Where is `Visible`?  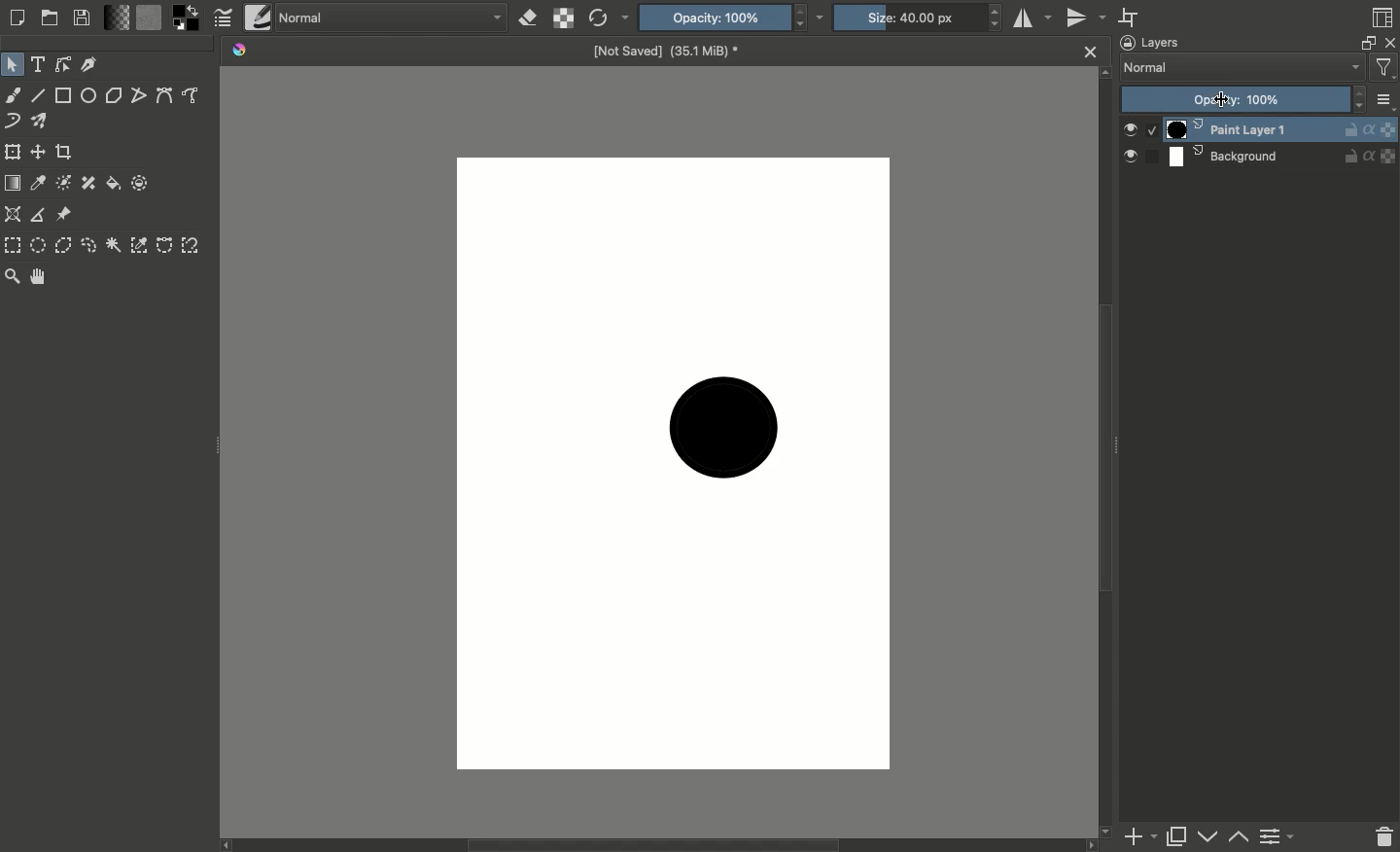
Visible is located at coordinates (1130, 129).